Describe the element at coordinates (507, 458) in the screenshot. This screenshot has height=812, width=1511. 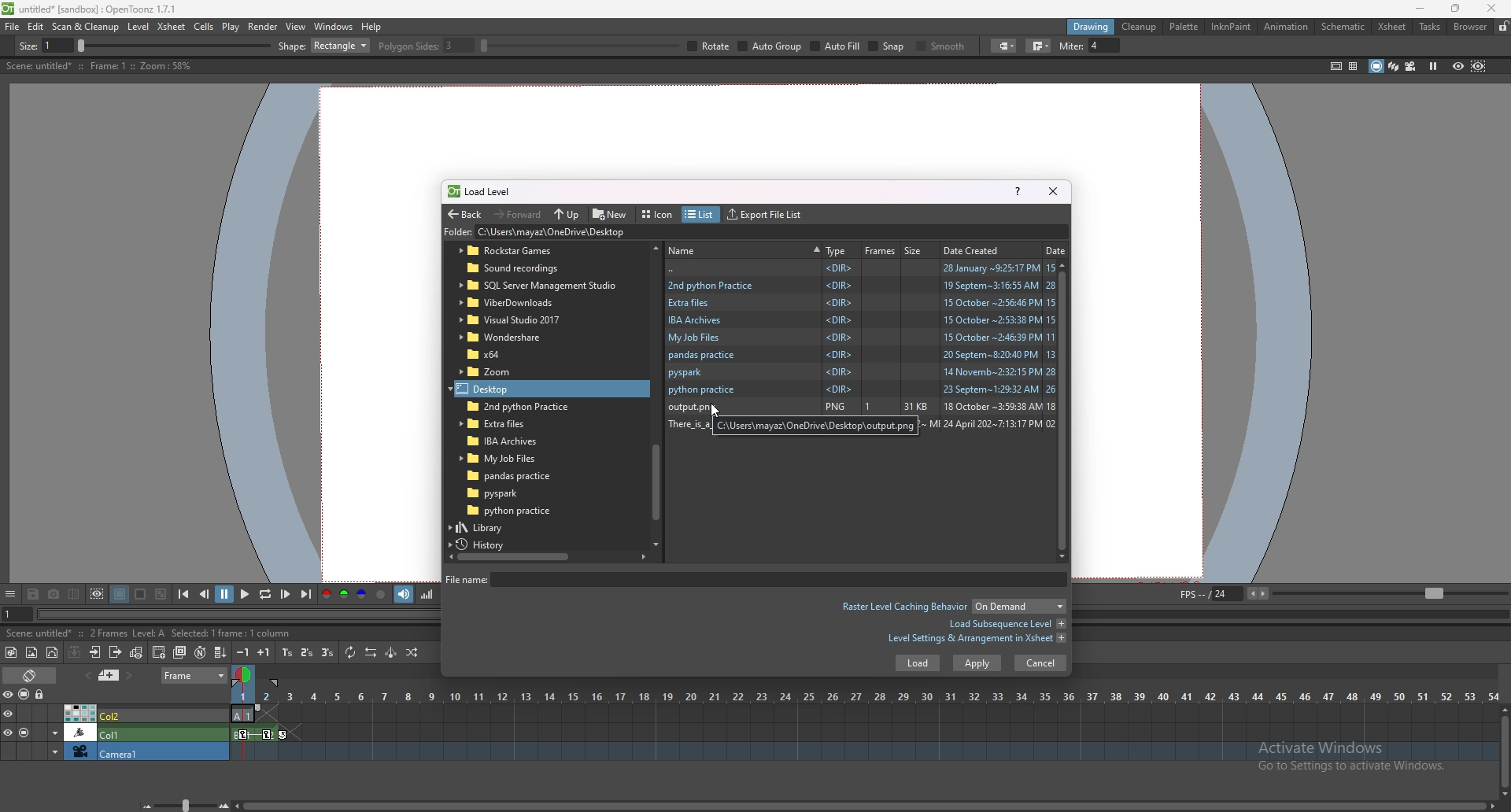
I see `folder` at that location.